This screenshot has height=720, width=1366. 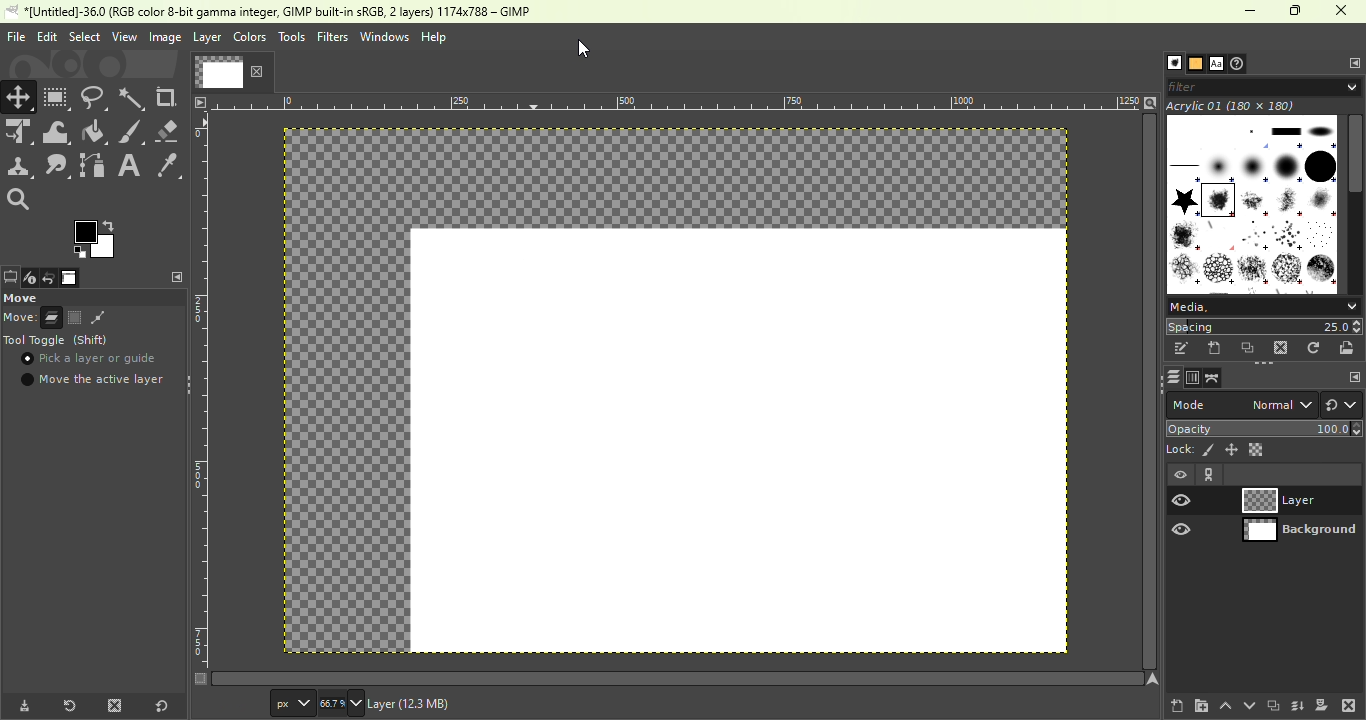 I want to click on Mode, so click(x=1240, y=405).